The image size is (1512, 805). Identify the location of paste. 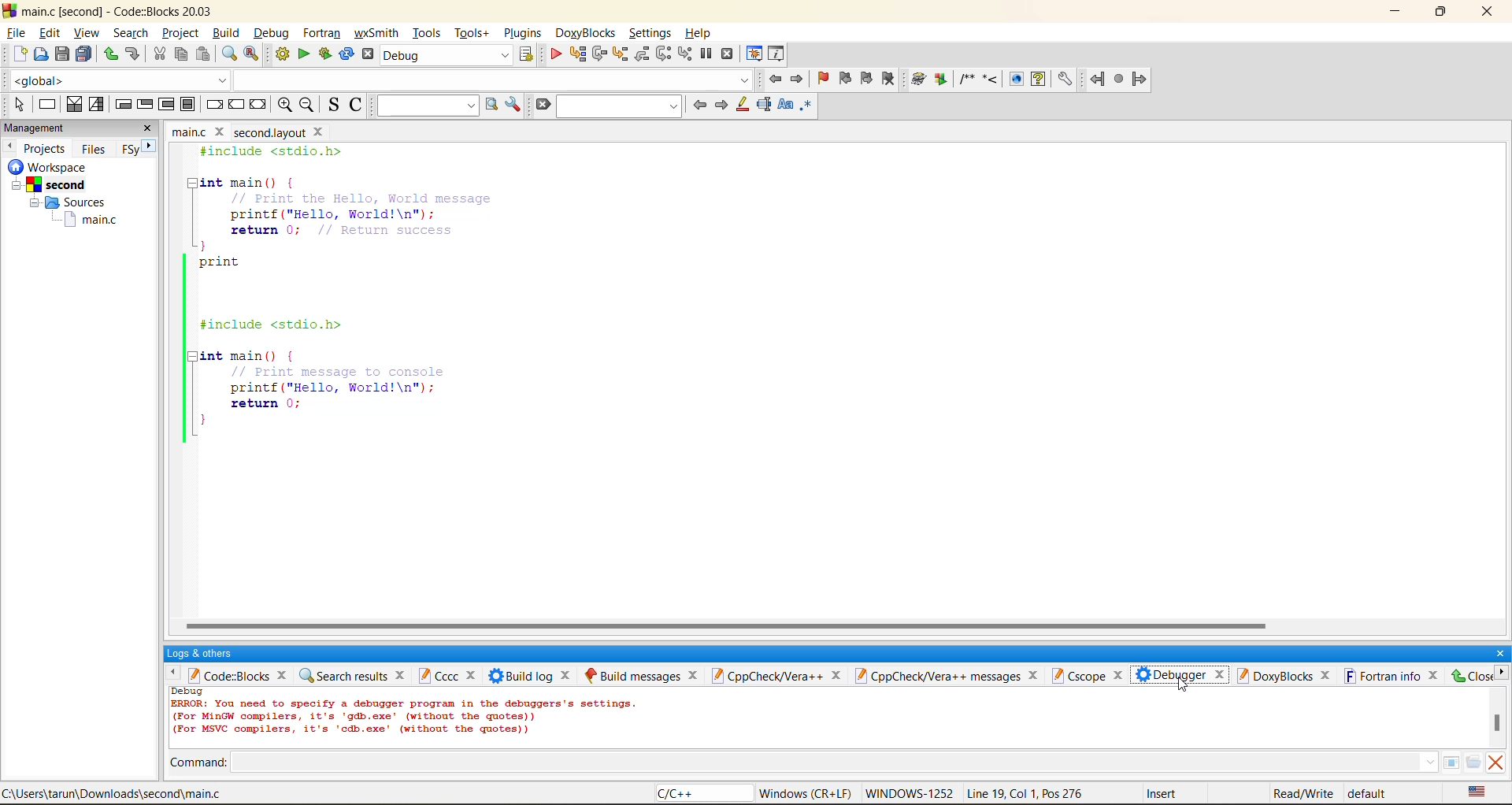
(204, 54).